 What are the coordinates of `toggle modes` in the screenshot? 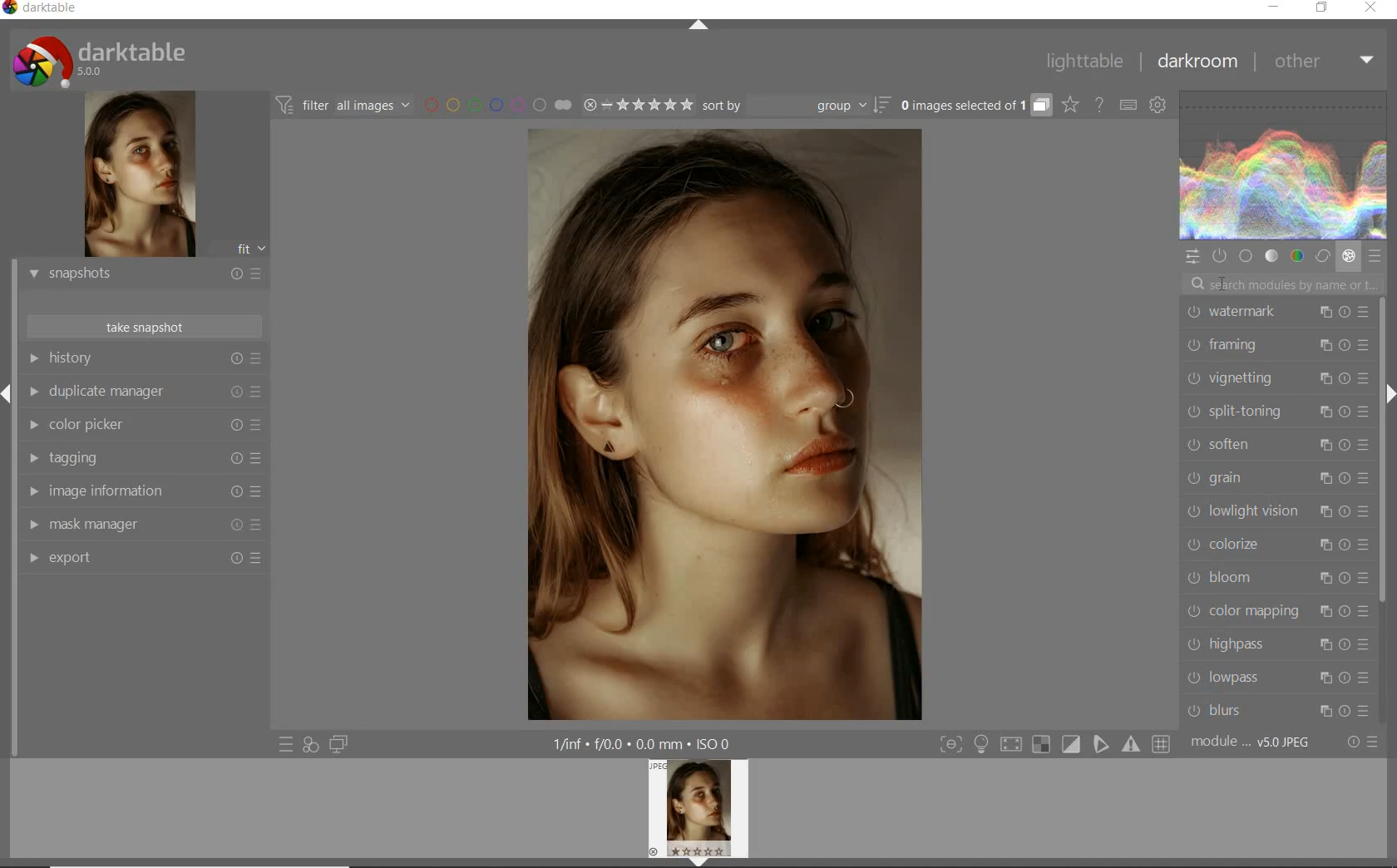 It's located at (1055, 746).